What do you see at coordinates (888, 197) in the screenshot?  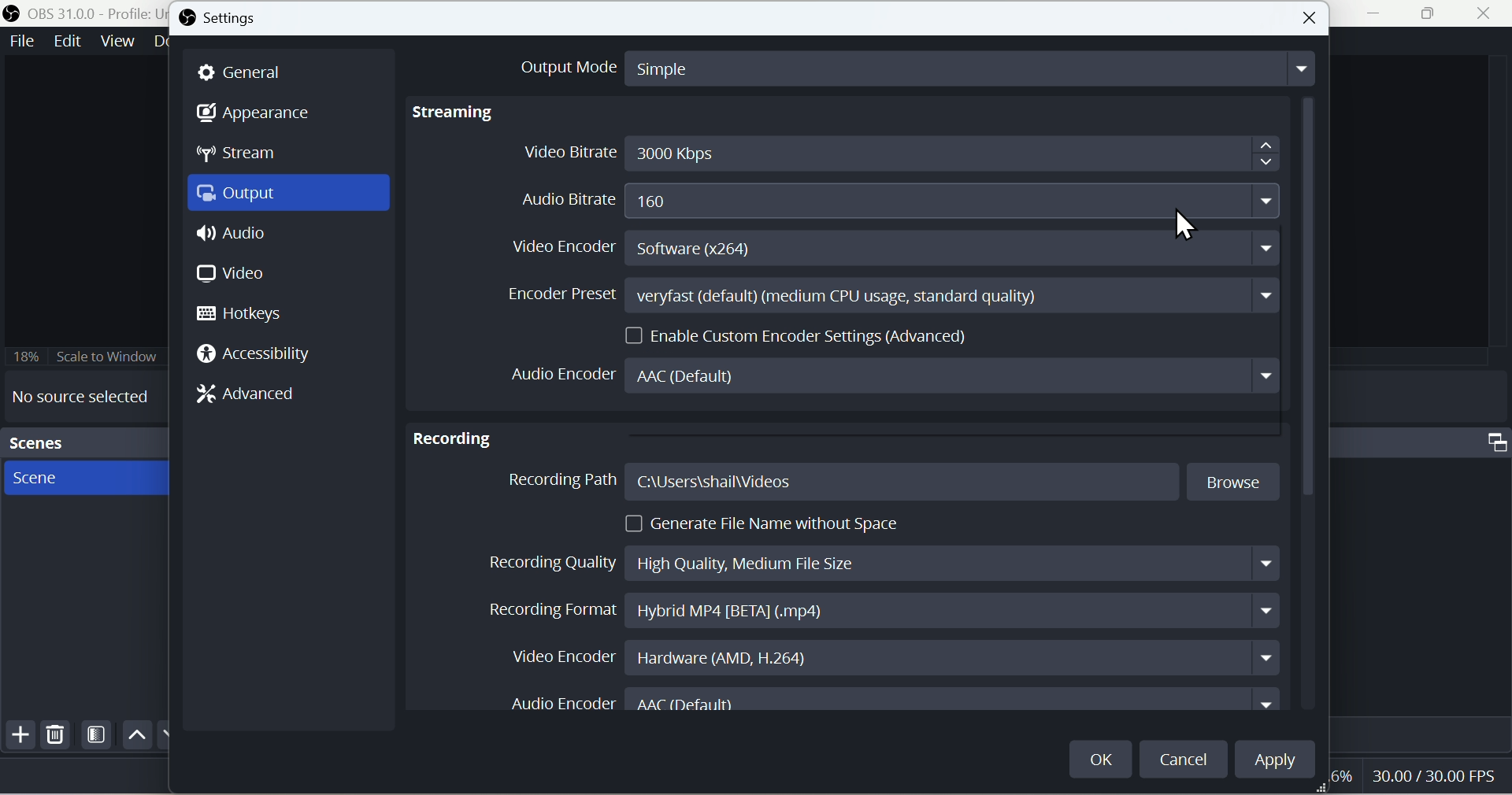 I see `Audio Bitrate` at bounding box center [888, 197].